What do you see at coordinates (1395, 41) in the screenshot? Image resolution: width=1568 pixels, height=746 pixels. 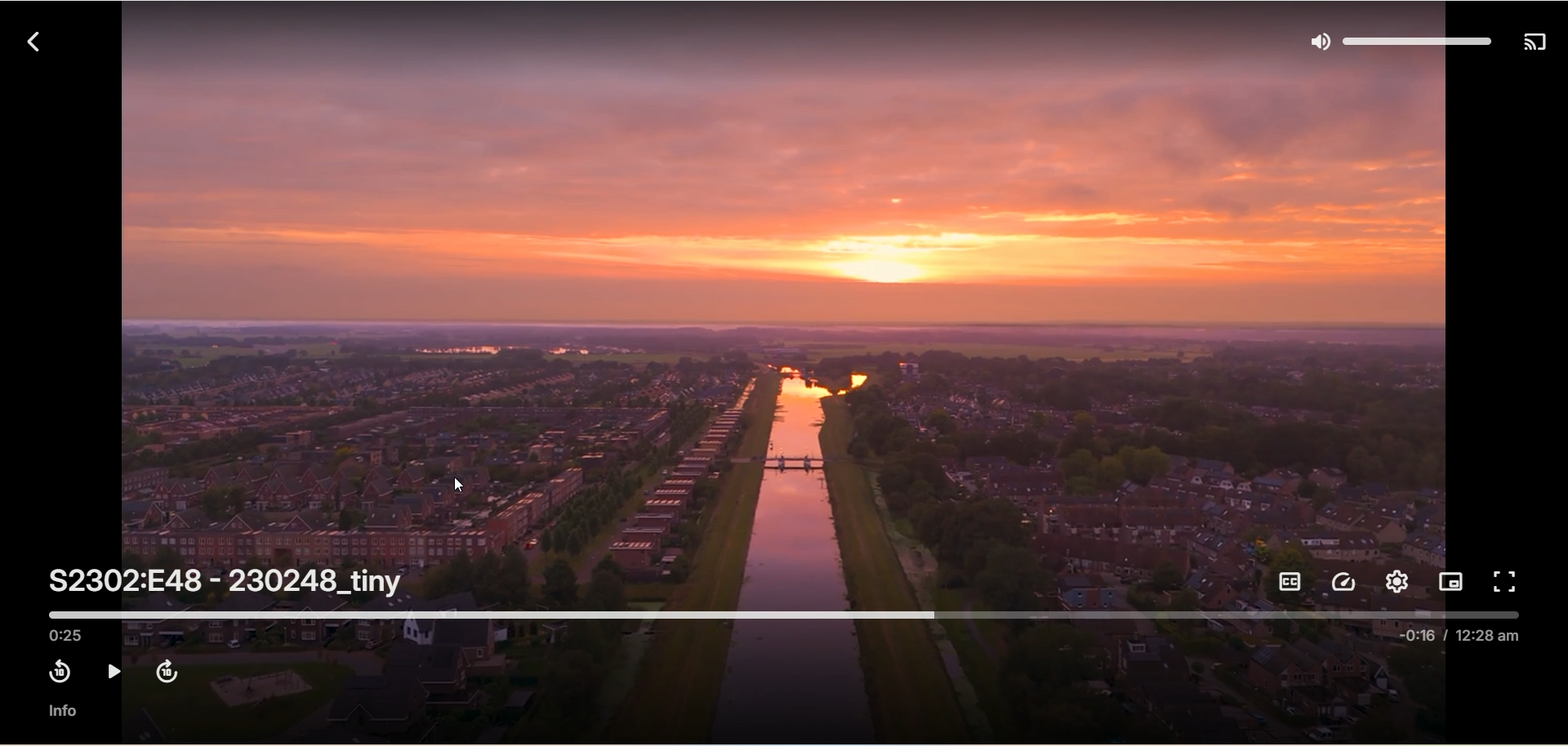 I see `volume` at bounding box center [1395, 41].